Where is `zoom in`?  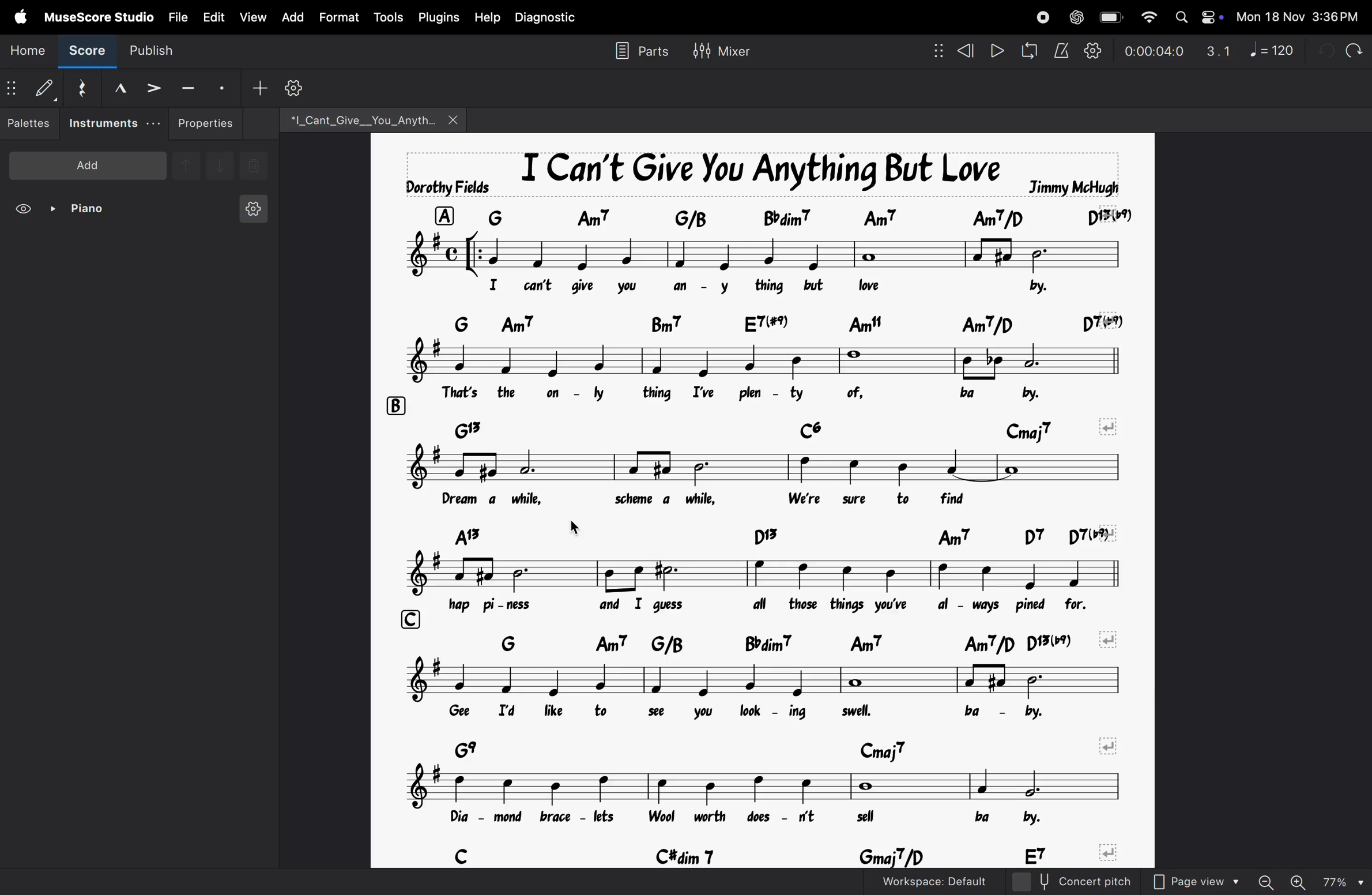 zoom in is located at coordinates (1298, 881).